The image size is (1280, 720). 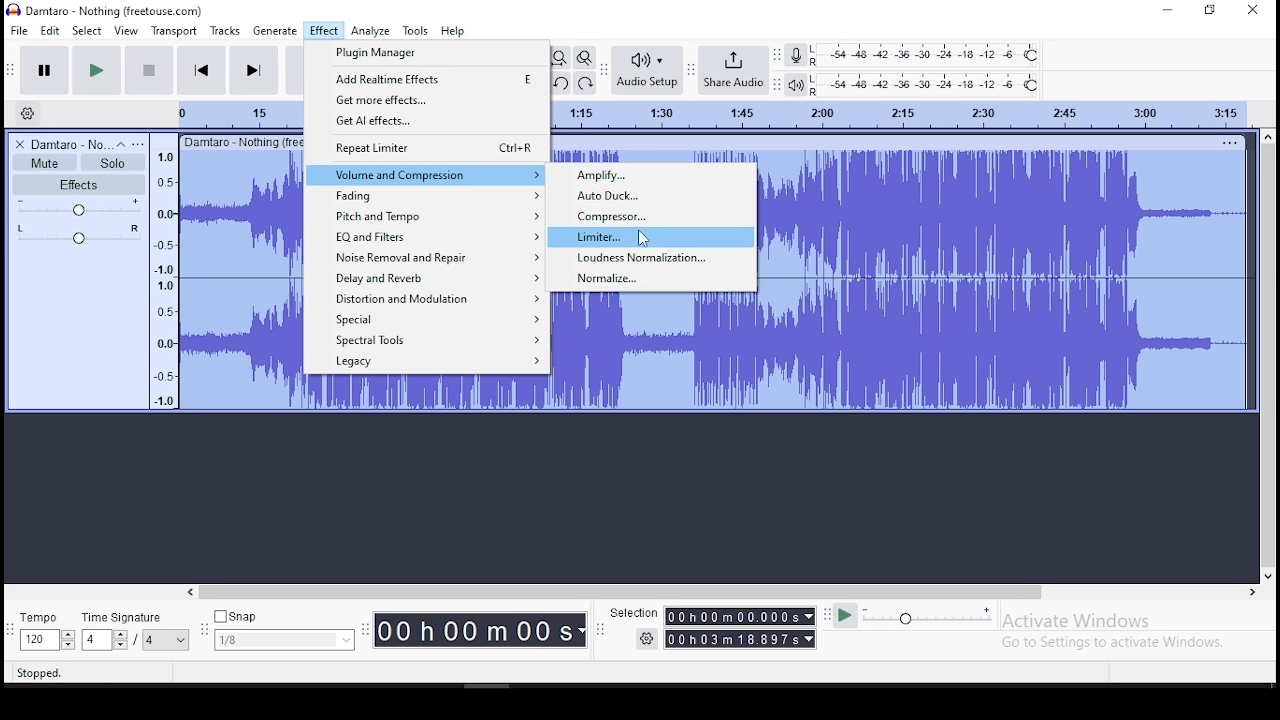 I want to click on sound track, so click(x=423, y=393).